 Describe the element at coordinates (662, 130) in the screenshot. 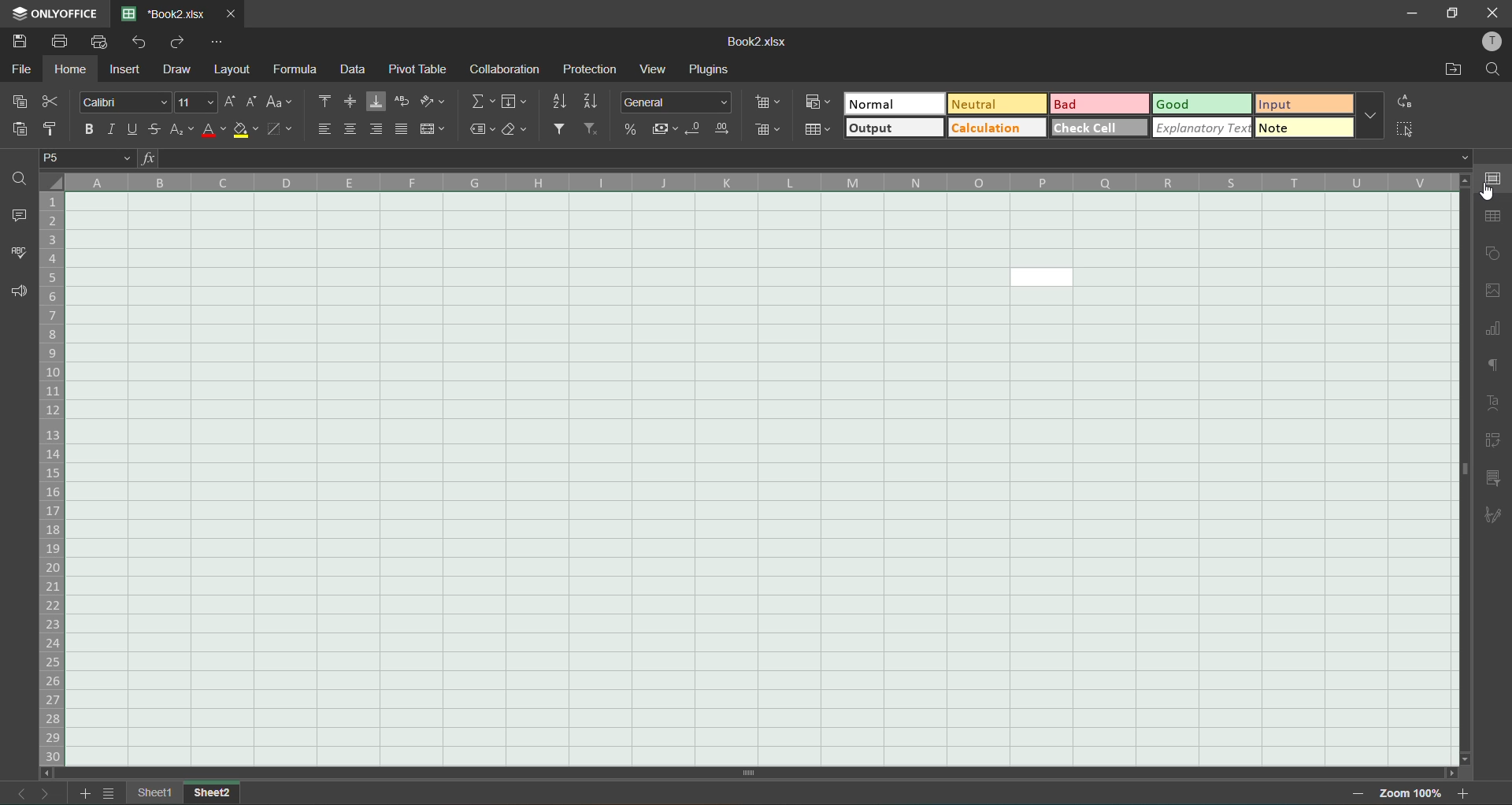

I see `accounting` at that location.